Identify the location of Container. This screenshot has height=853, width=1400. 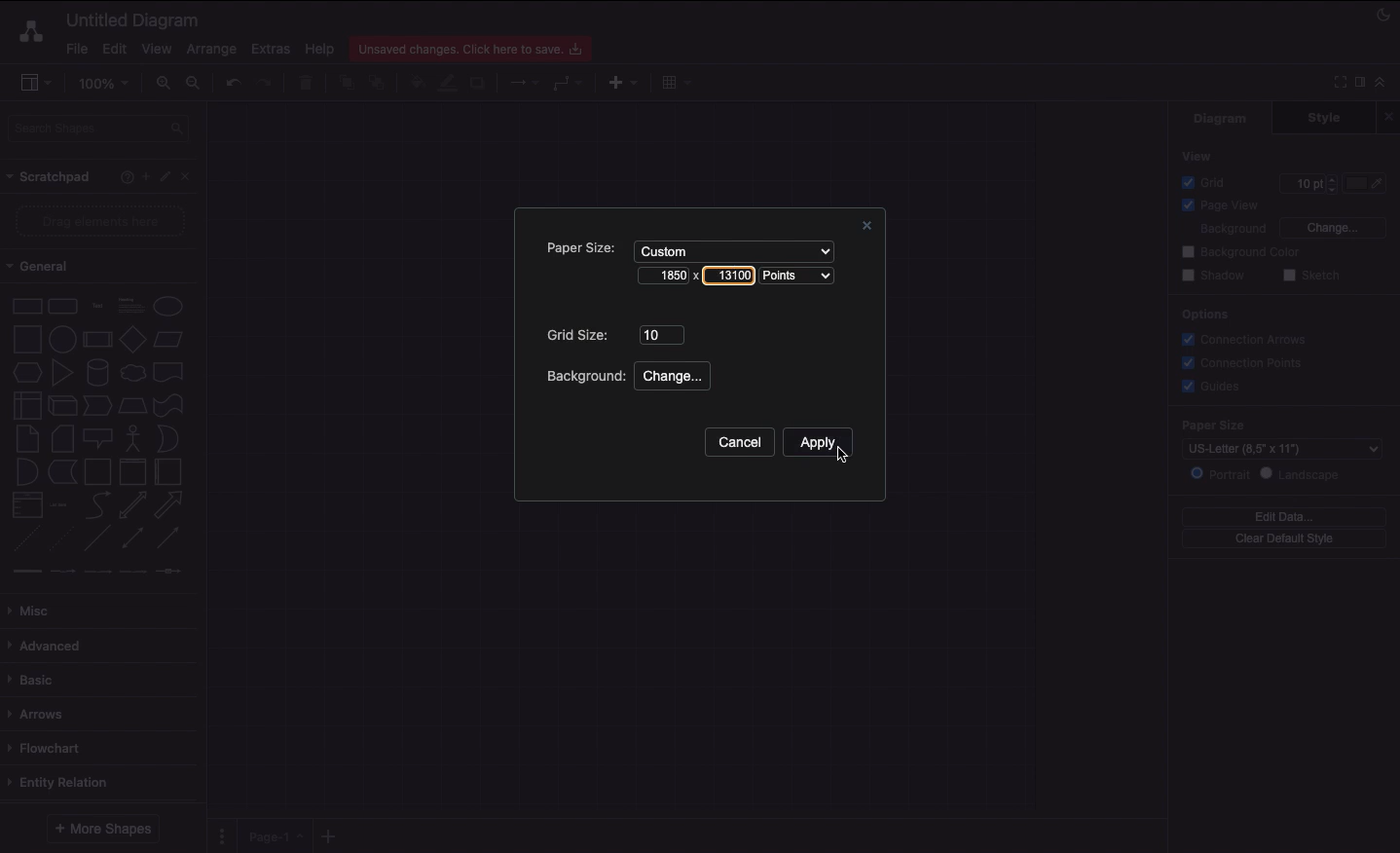
(97, 471).